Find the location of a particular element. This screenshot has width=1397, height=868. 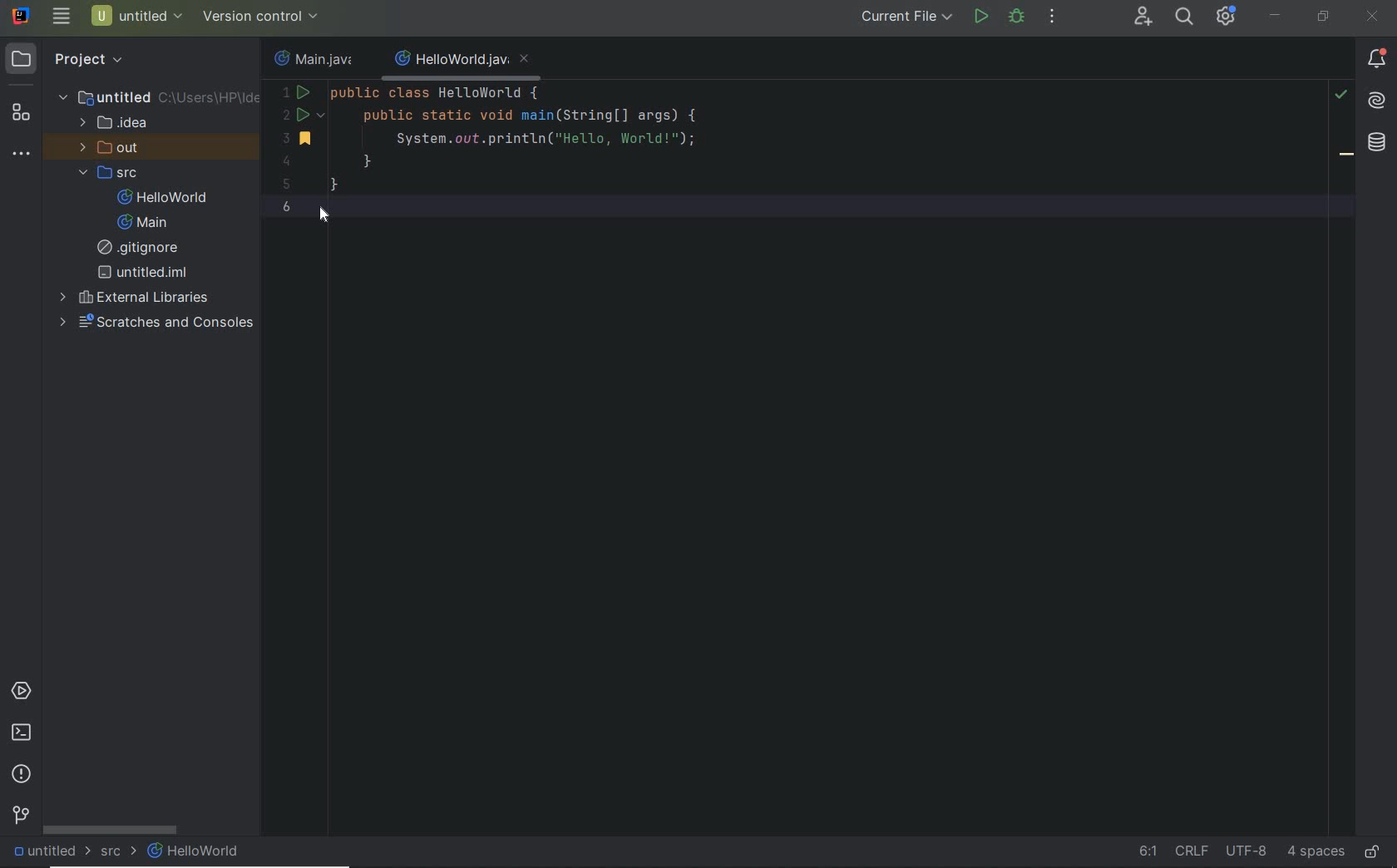

line separator is located at coordinates (1191, 850).